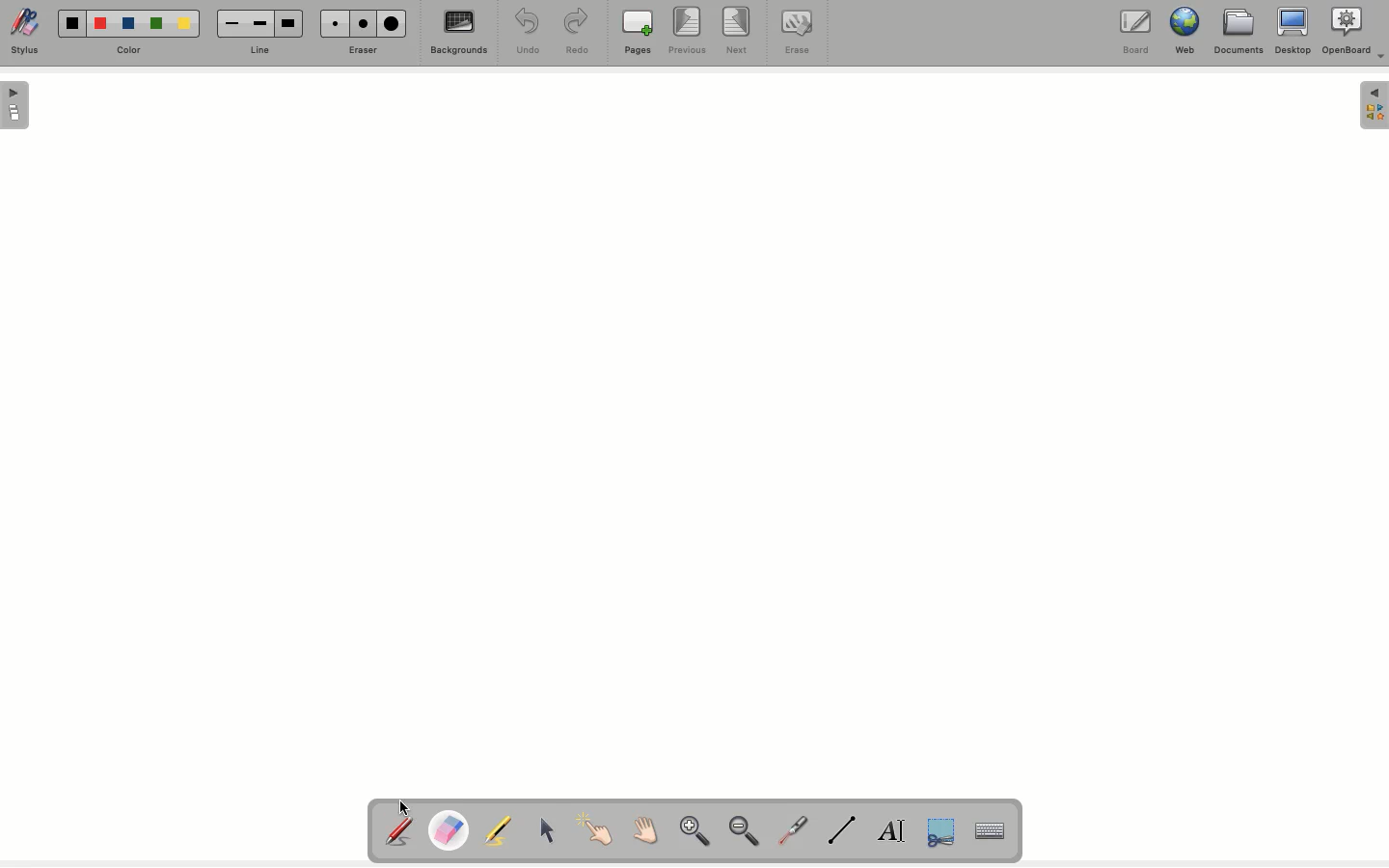  Describe the element at coordinates (526, 31) in the screenshot. I see `Undo` at that location.